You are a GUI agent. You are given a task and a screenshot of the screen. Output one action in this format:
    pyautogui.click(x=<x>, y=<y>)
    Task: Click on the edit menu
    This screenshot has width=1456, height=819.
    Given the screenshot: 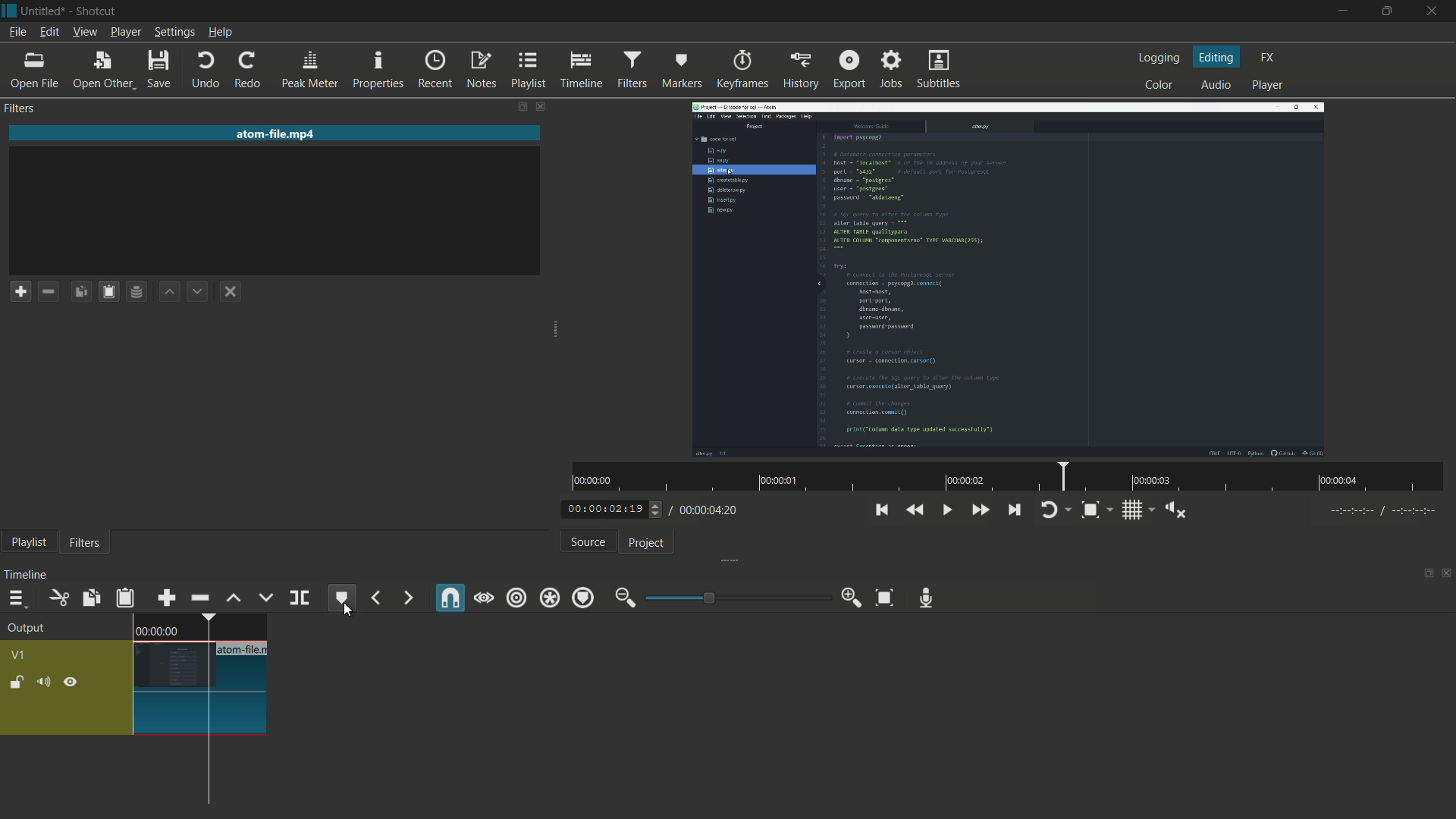 What is the action you would take?
    pyautogui.click(x=49, y=32)
    